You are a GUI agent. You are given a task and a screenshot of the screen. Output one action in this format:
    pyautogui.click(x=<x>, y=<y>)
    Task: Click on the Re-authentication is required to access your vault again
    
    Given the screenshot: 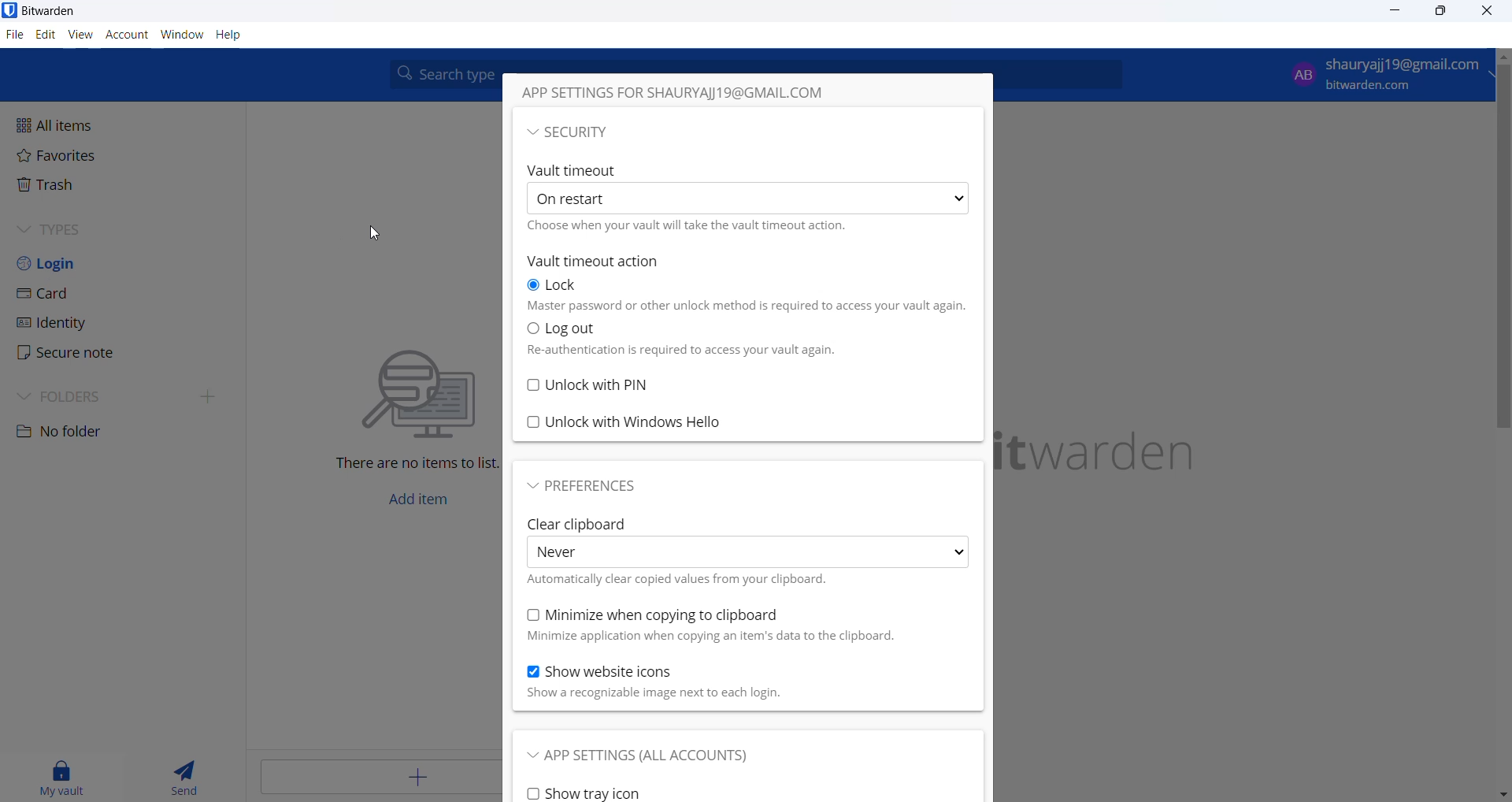 What is the action you would take?
    pyautogui.click(x=715, y=354)
    